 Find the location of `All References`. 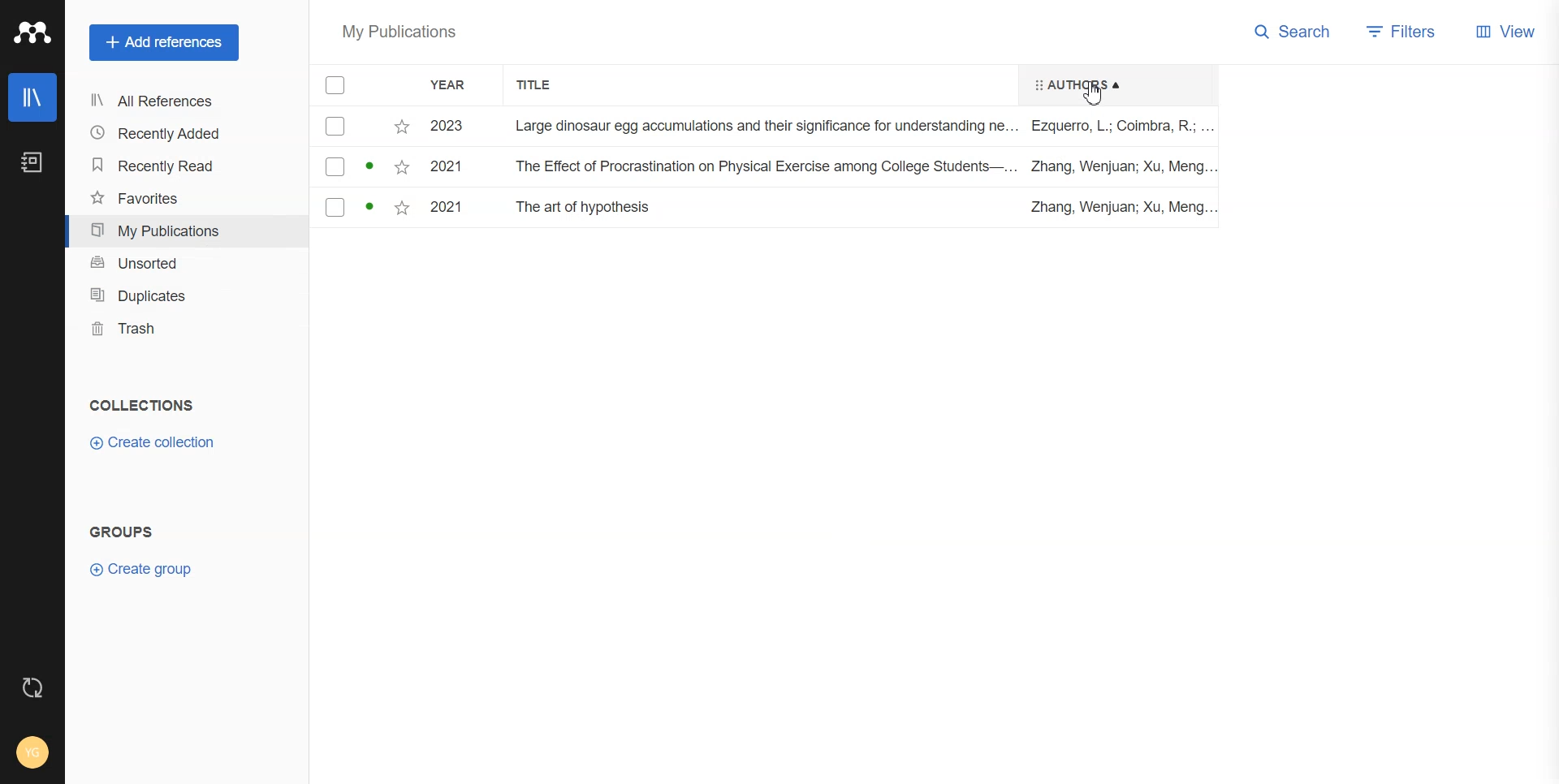

All References is located at coordinates (178, 101).